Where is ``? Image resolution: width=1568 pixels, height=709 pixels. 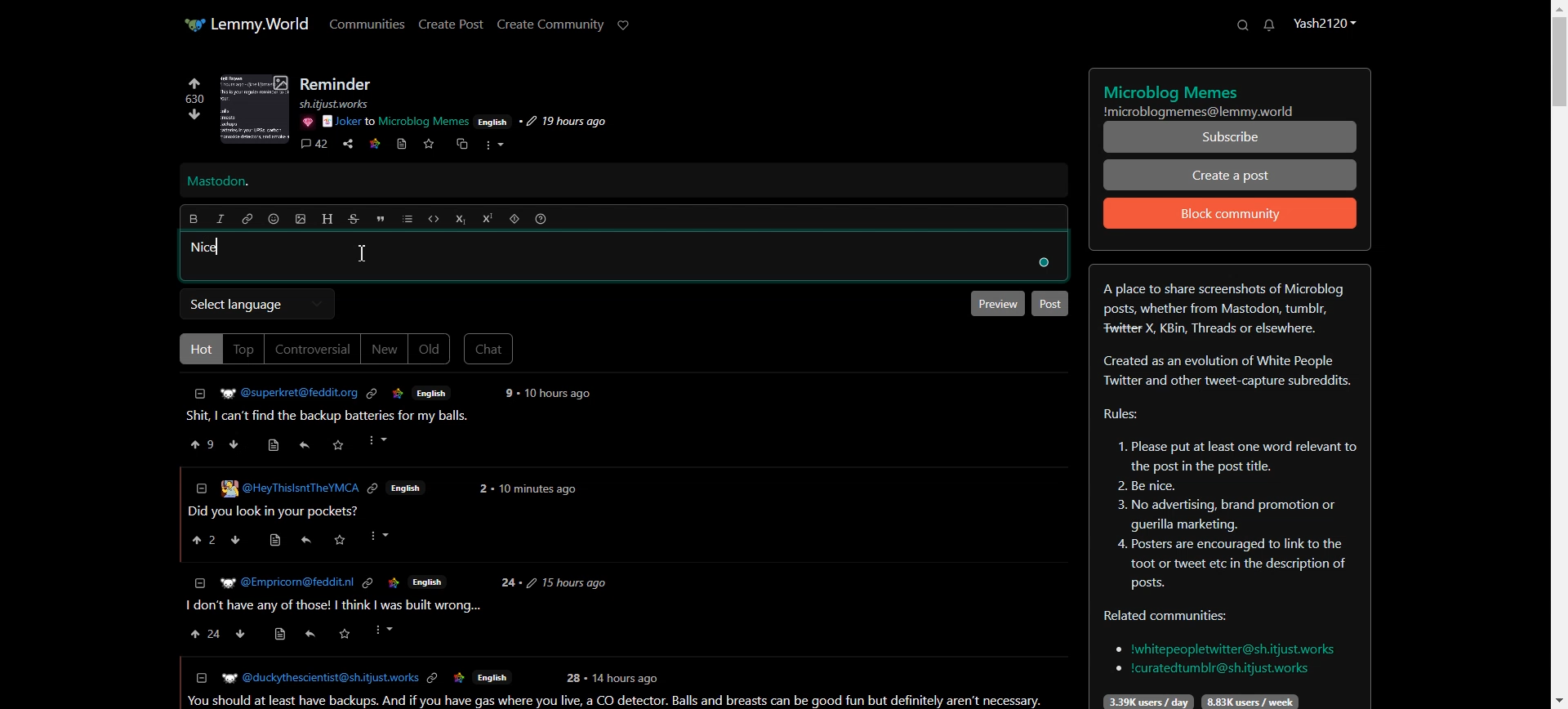  is located at coordinates (434, 679).